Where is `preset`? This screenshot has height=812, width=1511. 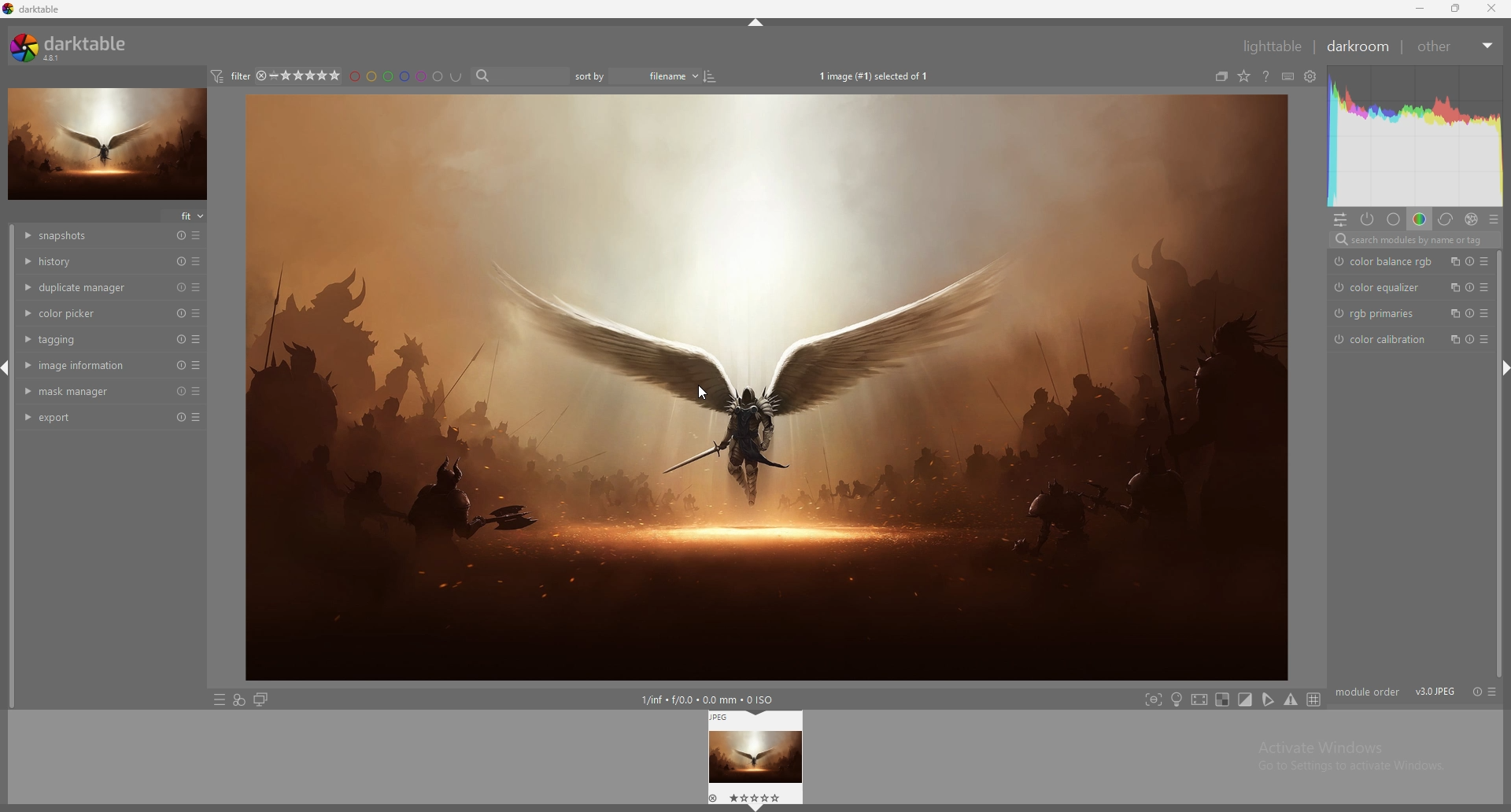 preset is located at coordinates (198, 236).